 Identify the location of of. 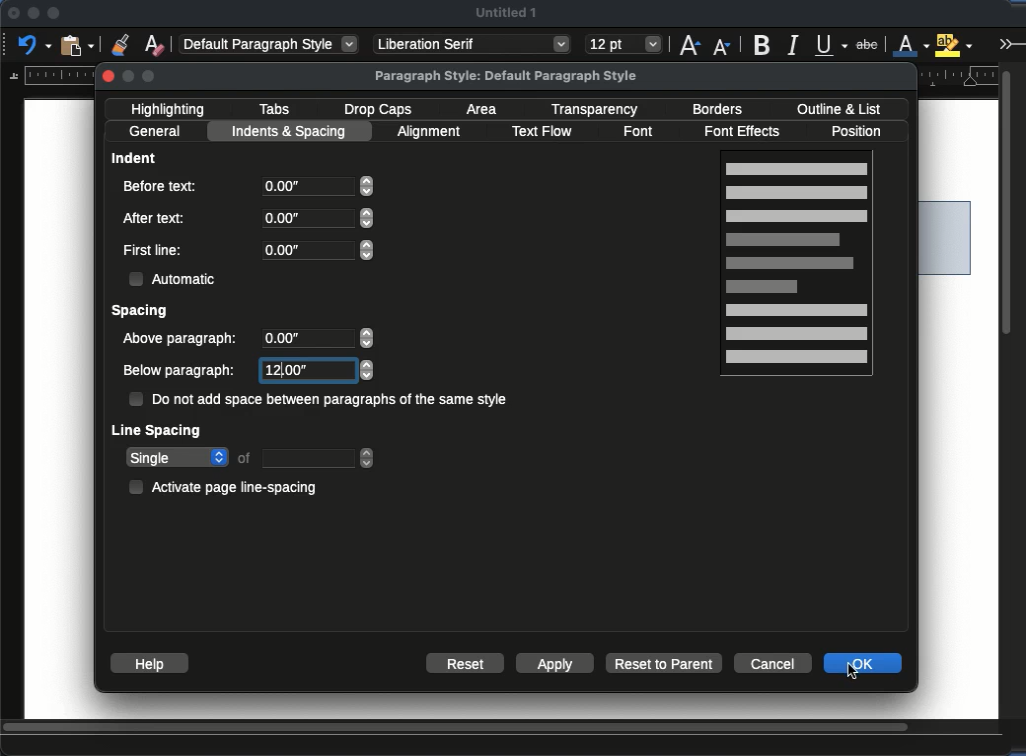
(246, 457).